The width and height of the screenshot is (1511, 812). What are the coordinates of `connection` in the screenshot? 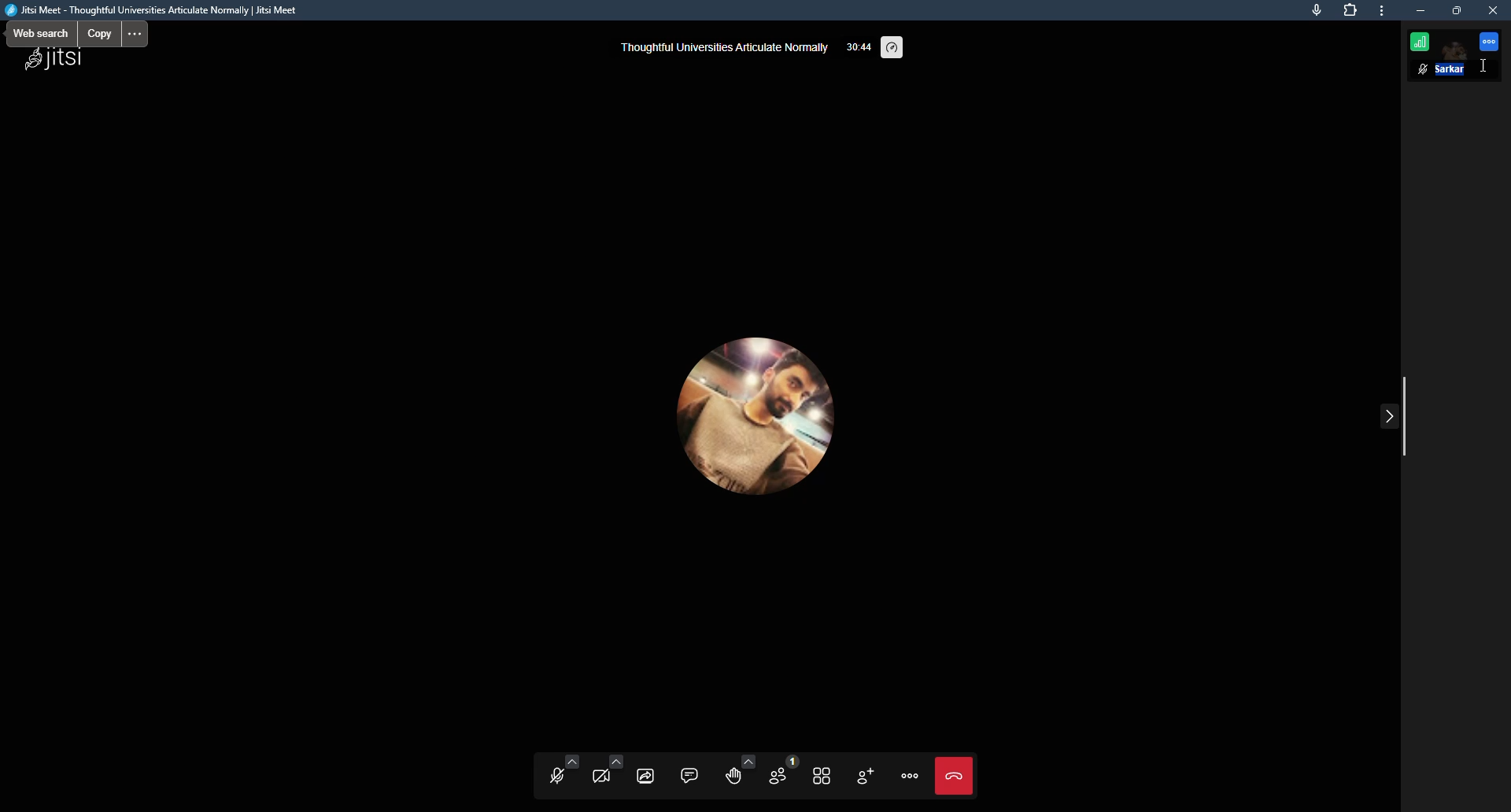 It's located at (1423, 42).